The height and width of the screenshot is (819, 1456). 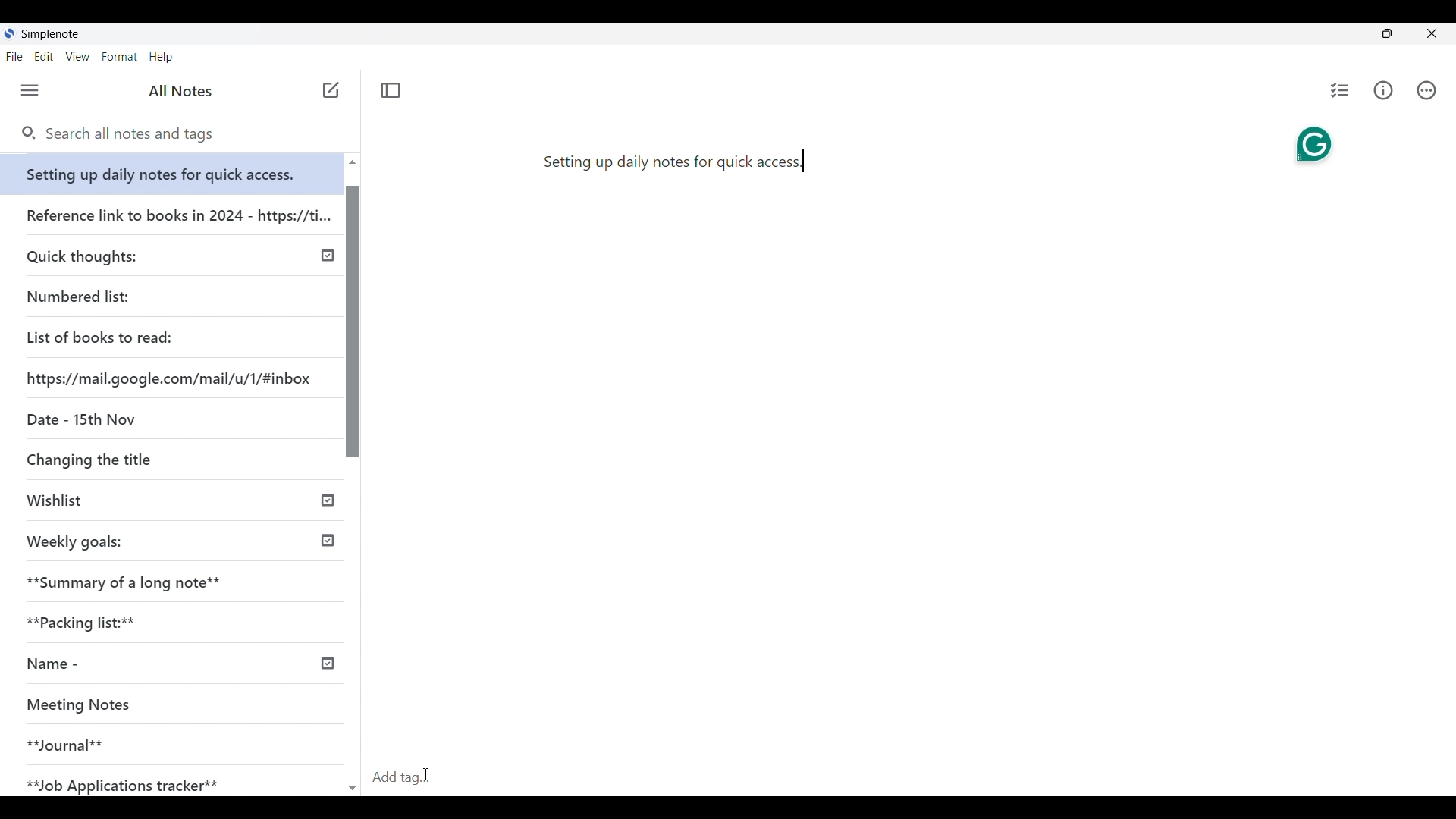 What do you see at coordinates (124, 254) in the screenshot?
I see `Quick thoughts` at bounding box center [124, 254].